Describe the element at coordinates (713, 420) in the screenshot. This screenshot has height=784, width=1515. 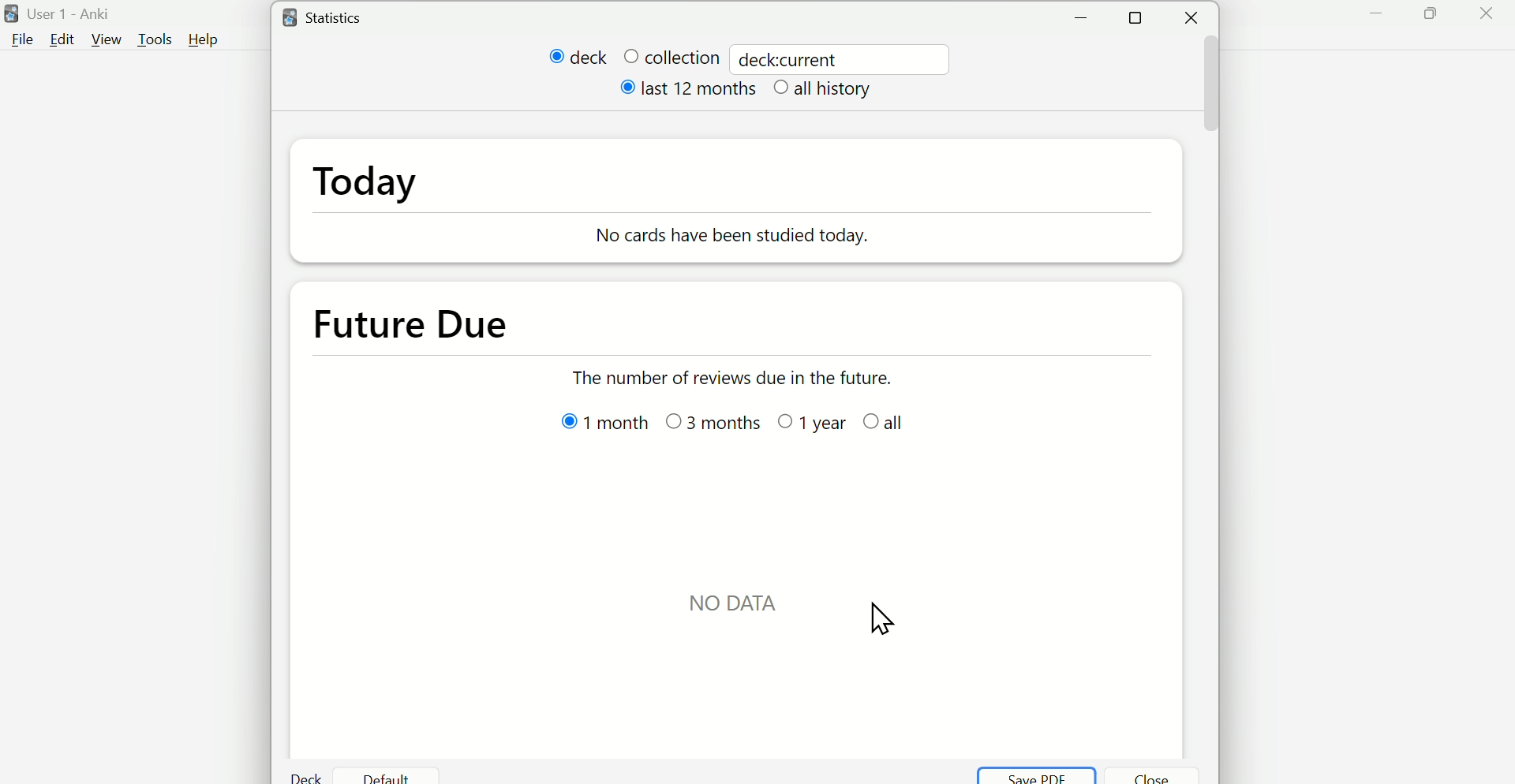
I see `3 month` at that location.